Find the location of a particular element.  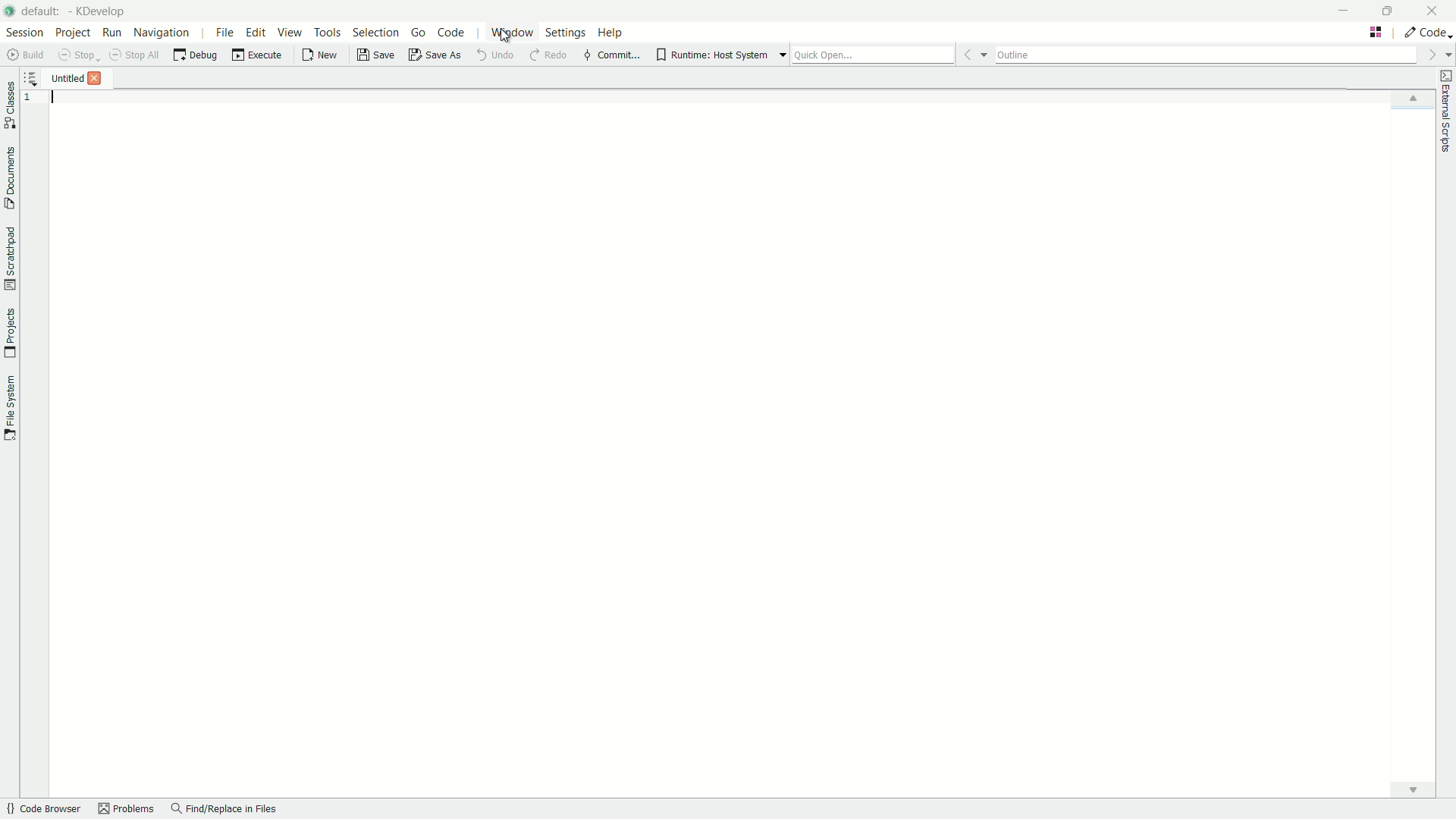

minimize is located at coordinates (1344, 11).